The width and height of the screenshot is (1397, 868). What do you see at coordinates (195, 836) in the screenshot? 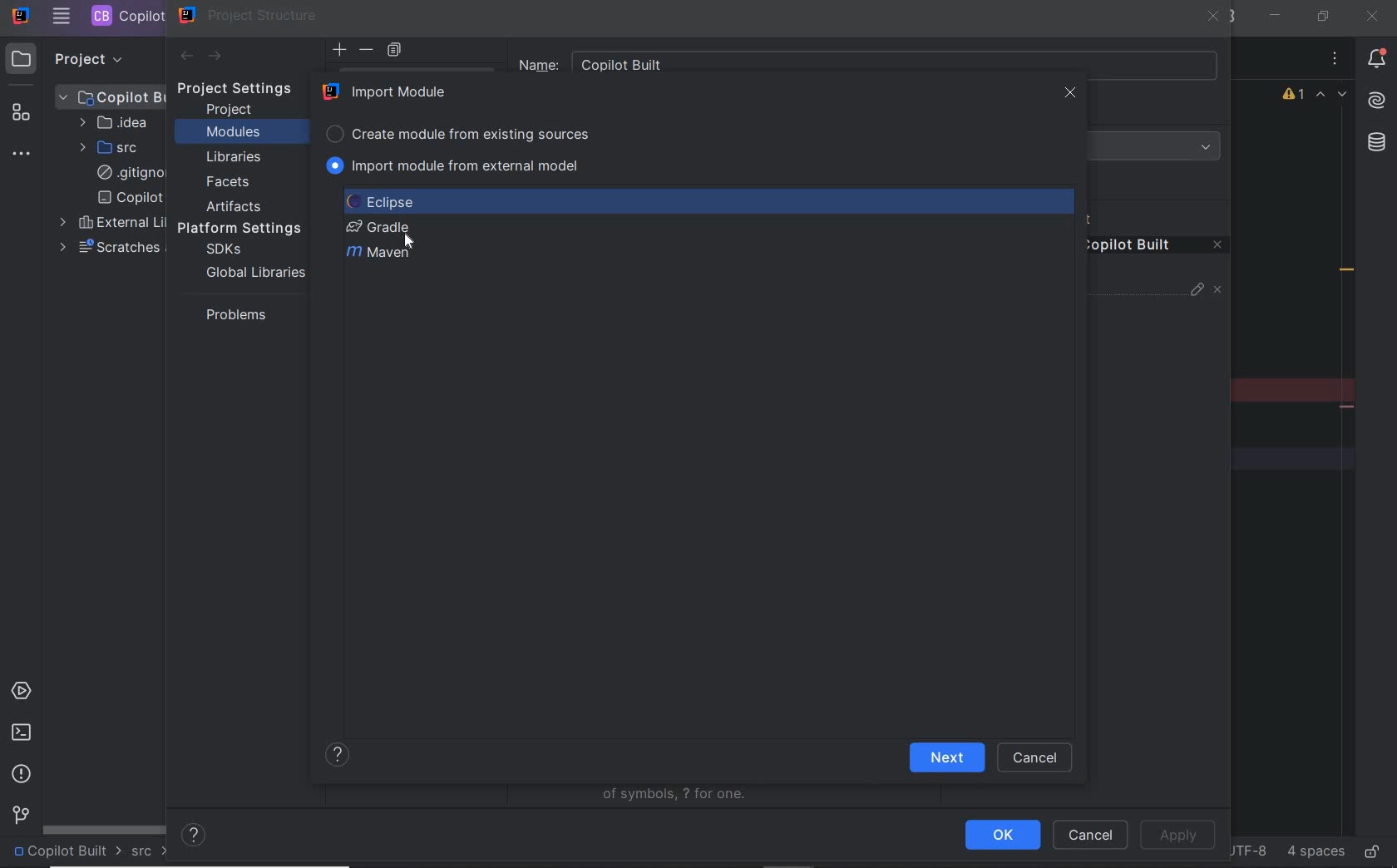
I see `help contents` at bounding box center [195, 836].